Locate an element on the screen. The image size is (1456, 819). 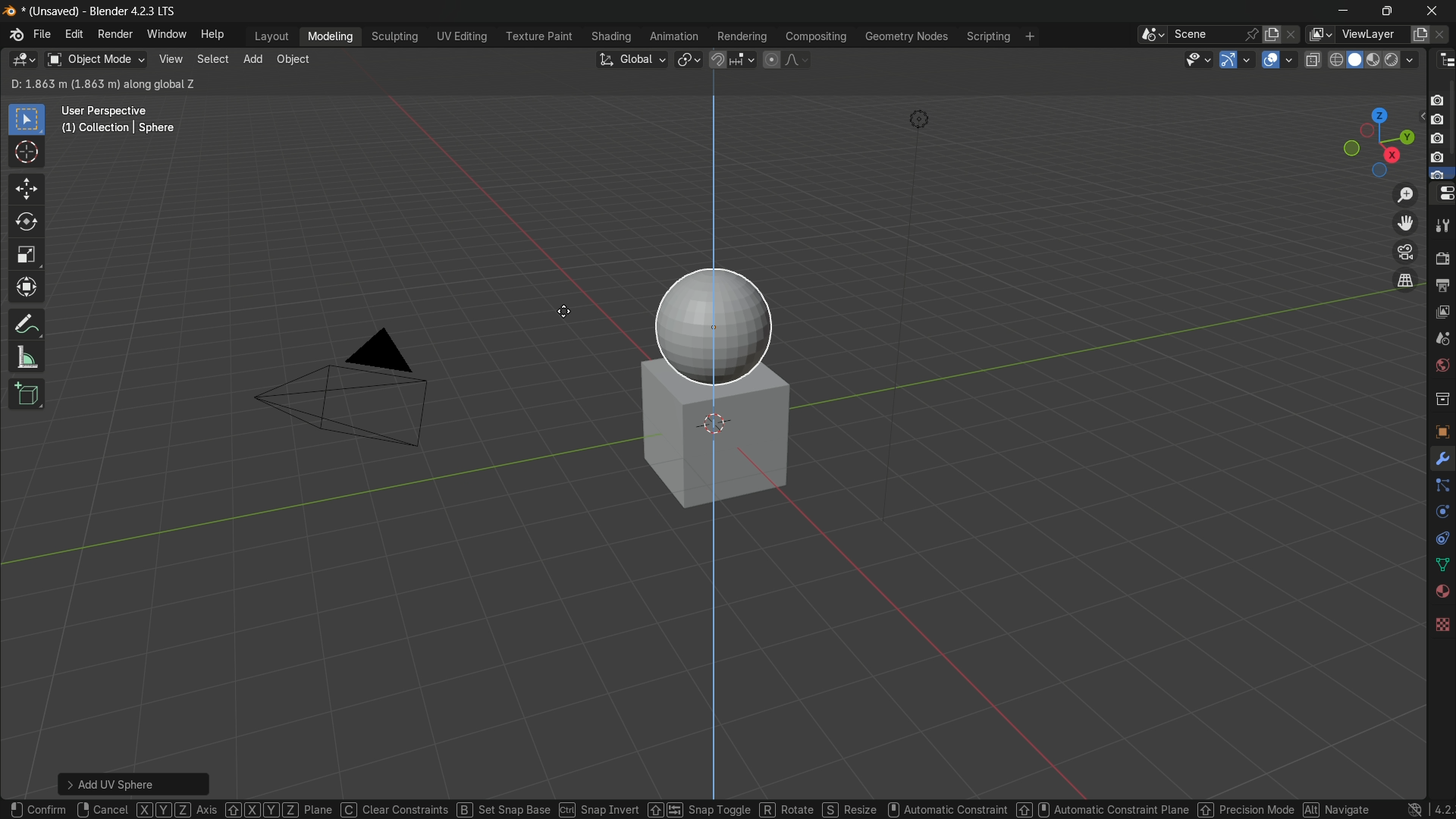
transform pivot table is located at coordinates (690, 60).